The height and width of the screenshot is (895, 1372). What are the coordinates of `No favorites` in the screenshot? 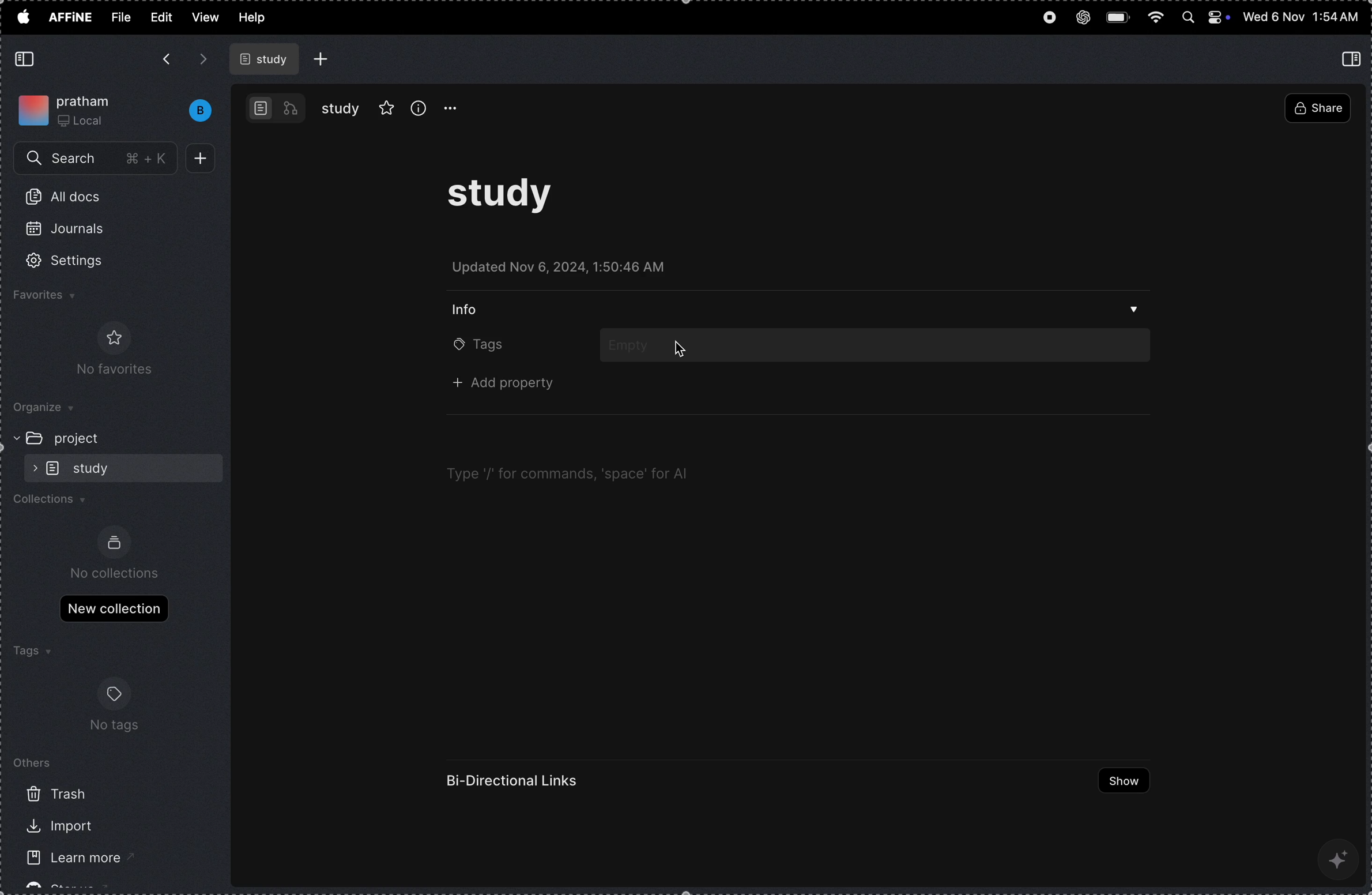 It's located at (108, 371).